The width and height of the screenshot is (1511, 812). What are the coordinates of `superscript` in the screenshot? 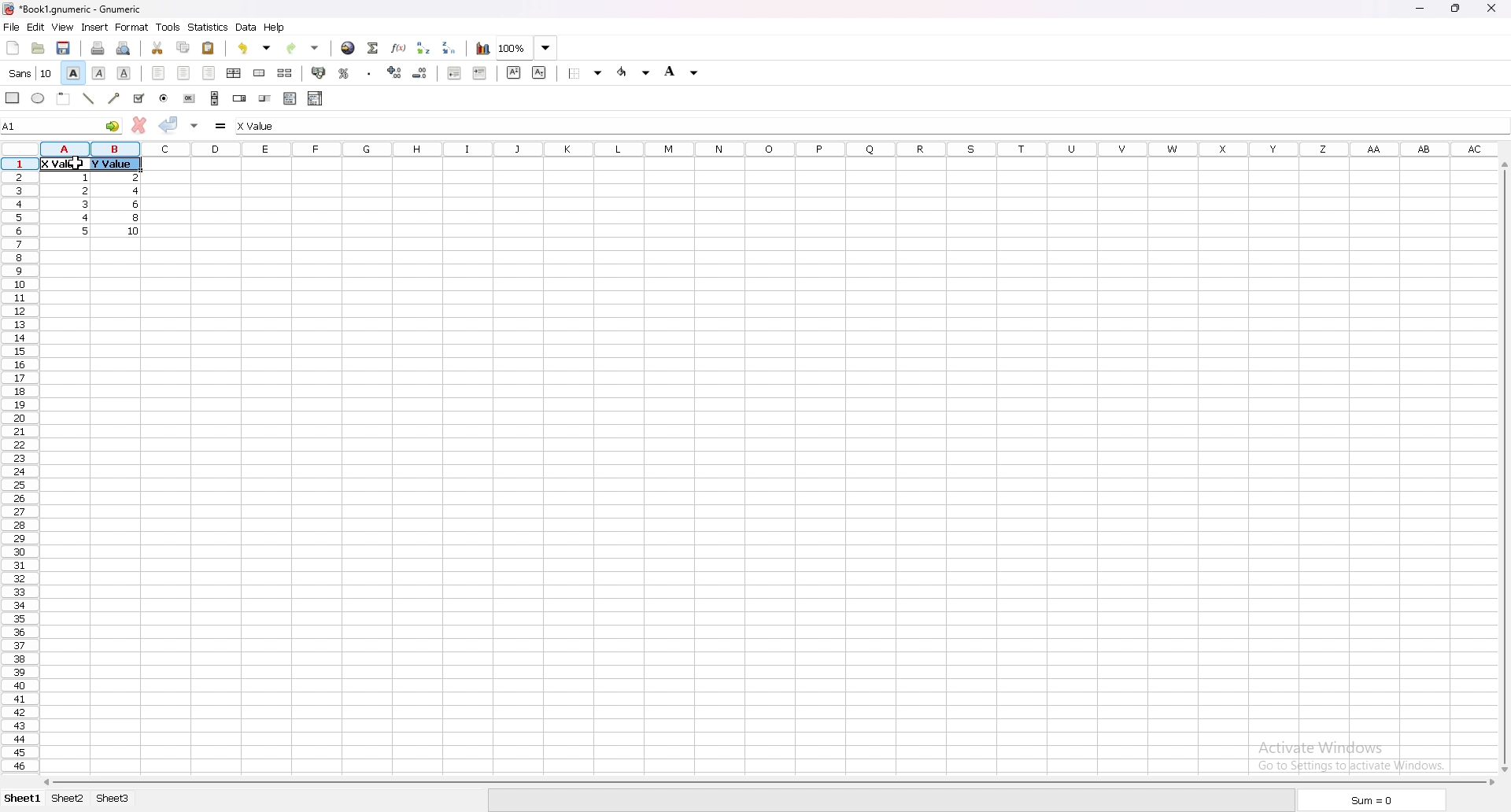 It's located at (515, 72).